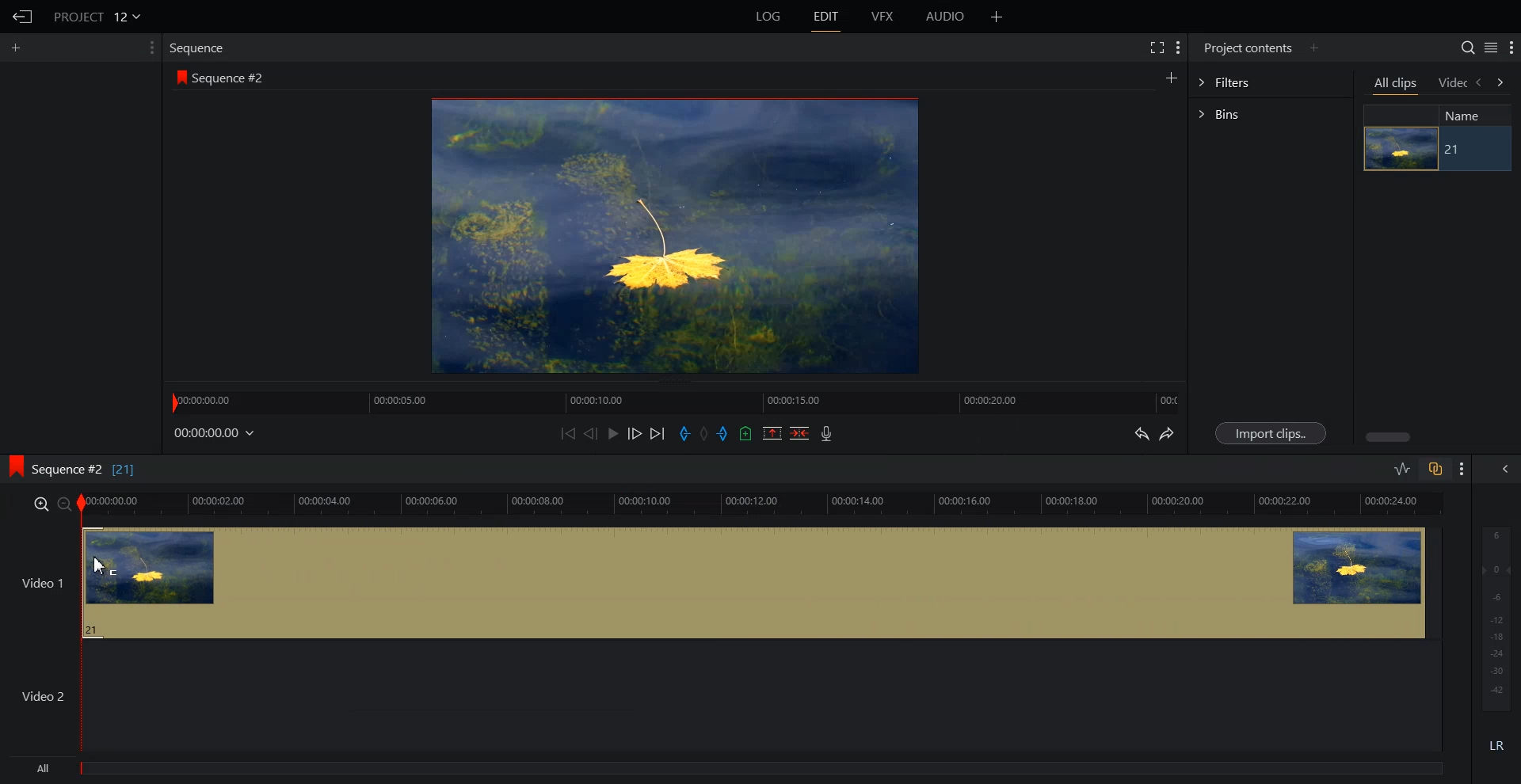 This screenshot has width=1521, height=784. Describe the element at coordinates (1452, 83) in the screenshot. I see `Video` at that location.